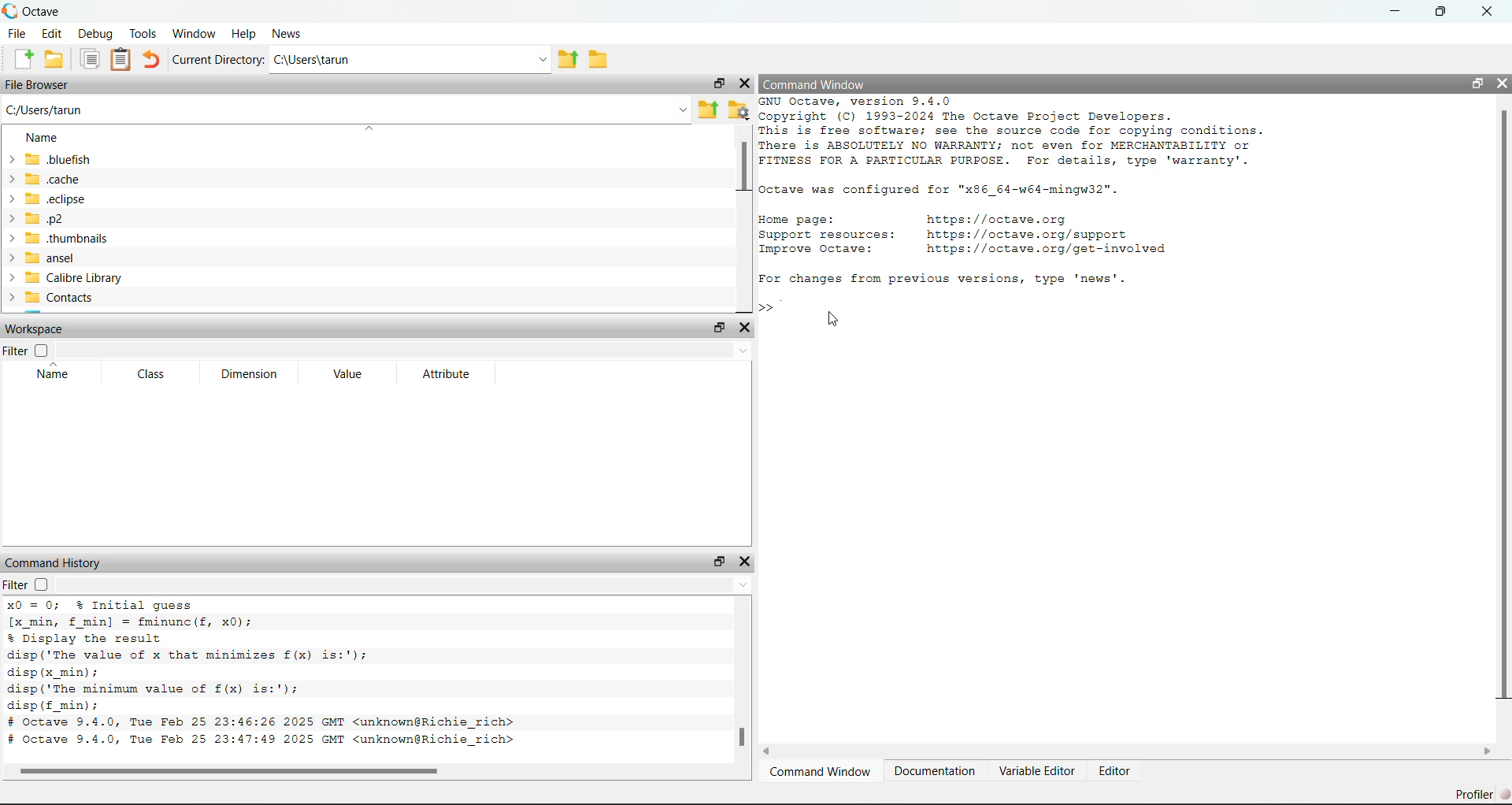 The image size is (1512, 805). What do you see at coordinates (91, 61) in the screenshot?
I see `Copy` at bounding box center [91, 61].